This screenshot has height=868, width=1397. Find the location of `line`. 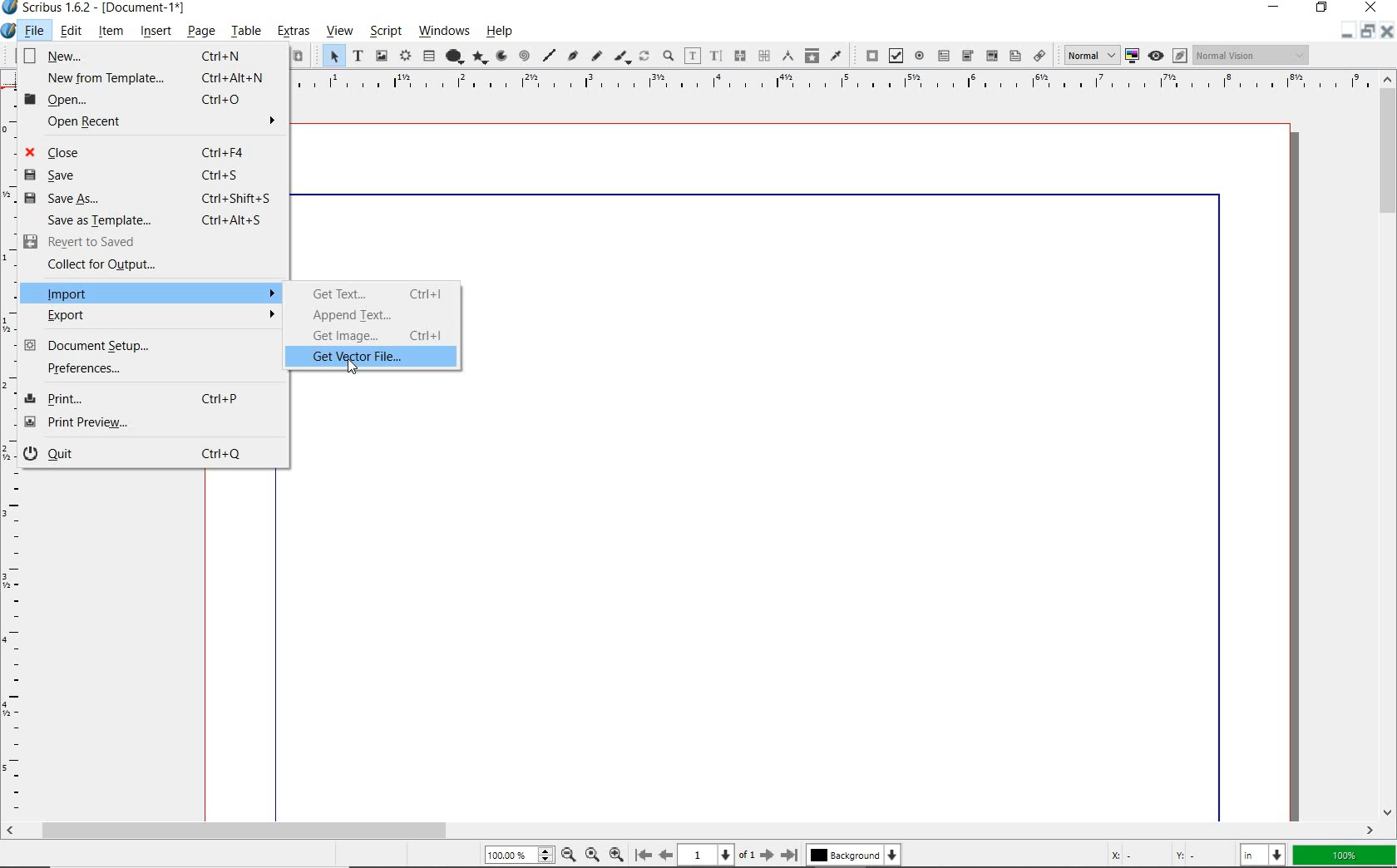

line is located at coordinates (548, 57).